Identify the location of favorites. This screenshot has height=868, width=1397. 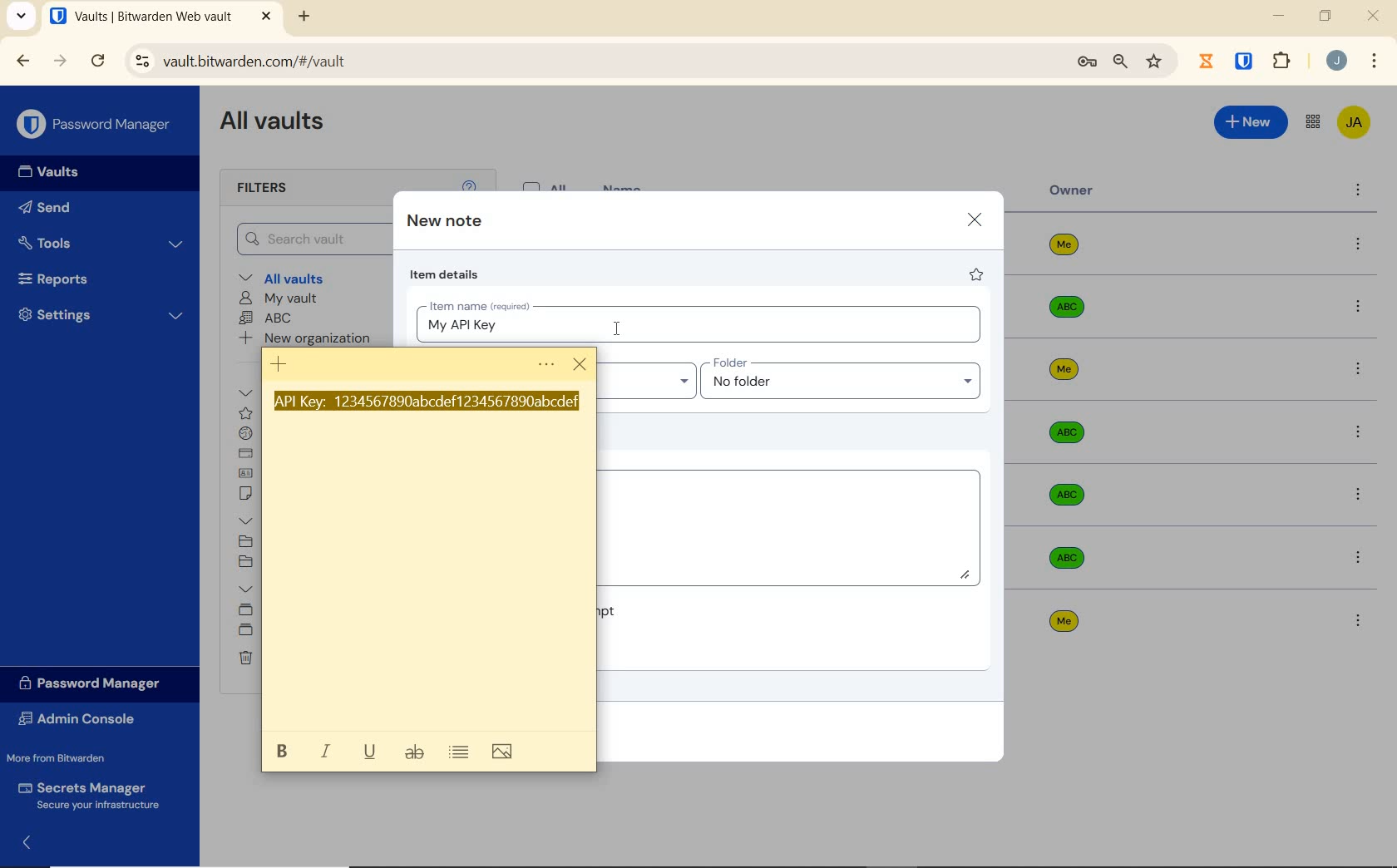
(244, 413).